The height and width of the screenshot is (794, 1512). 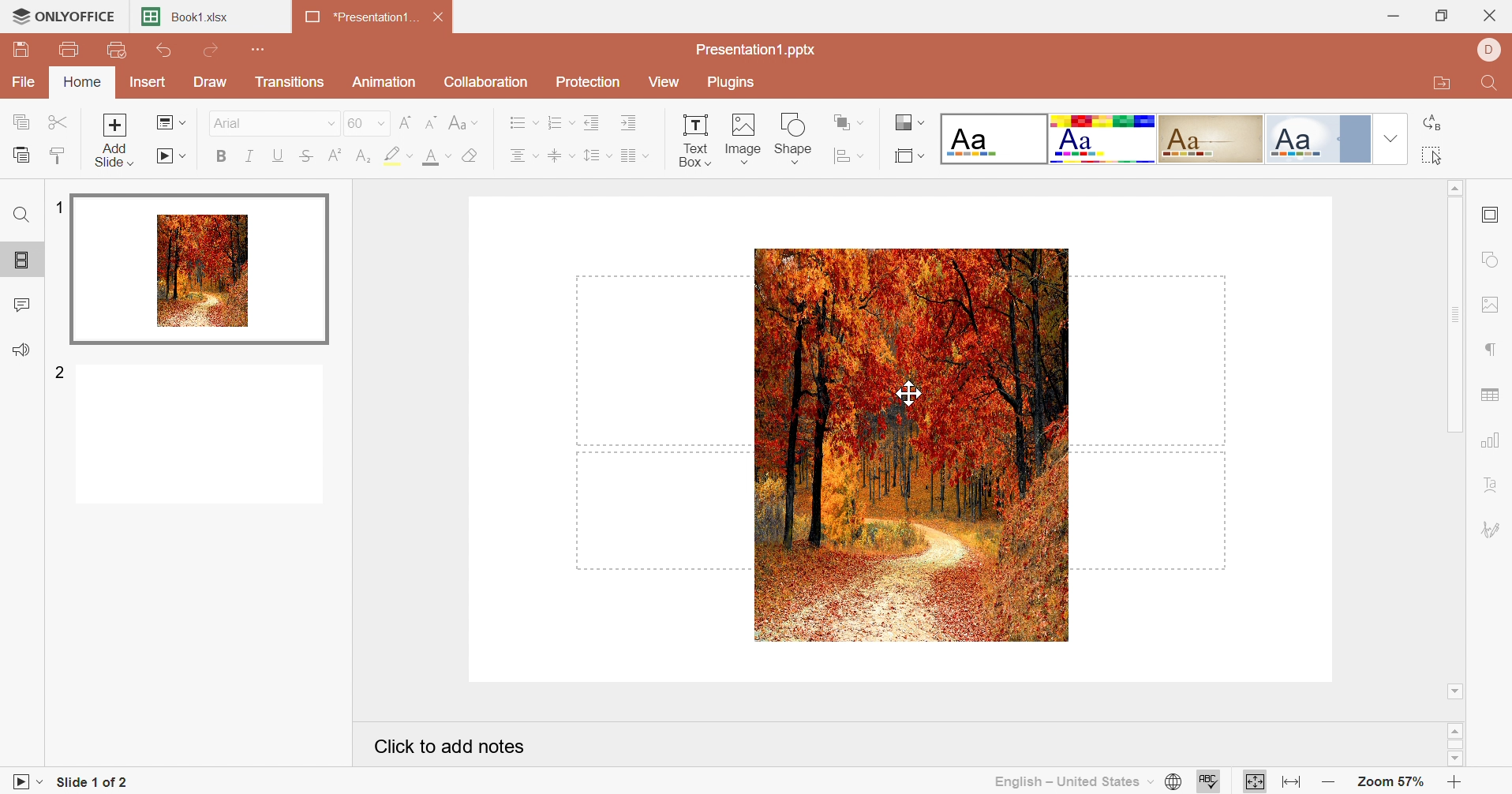 I want to click on Change color theme, so click(x=910, y=122).